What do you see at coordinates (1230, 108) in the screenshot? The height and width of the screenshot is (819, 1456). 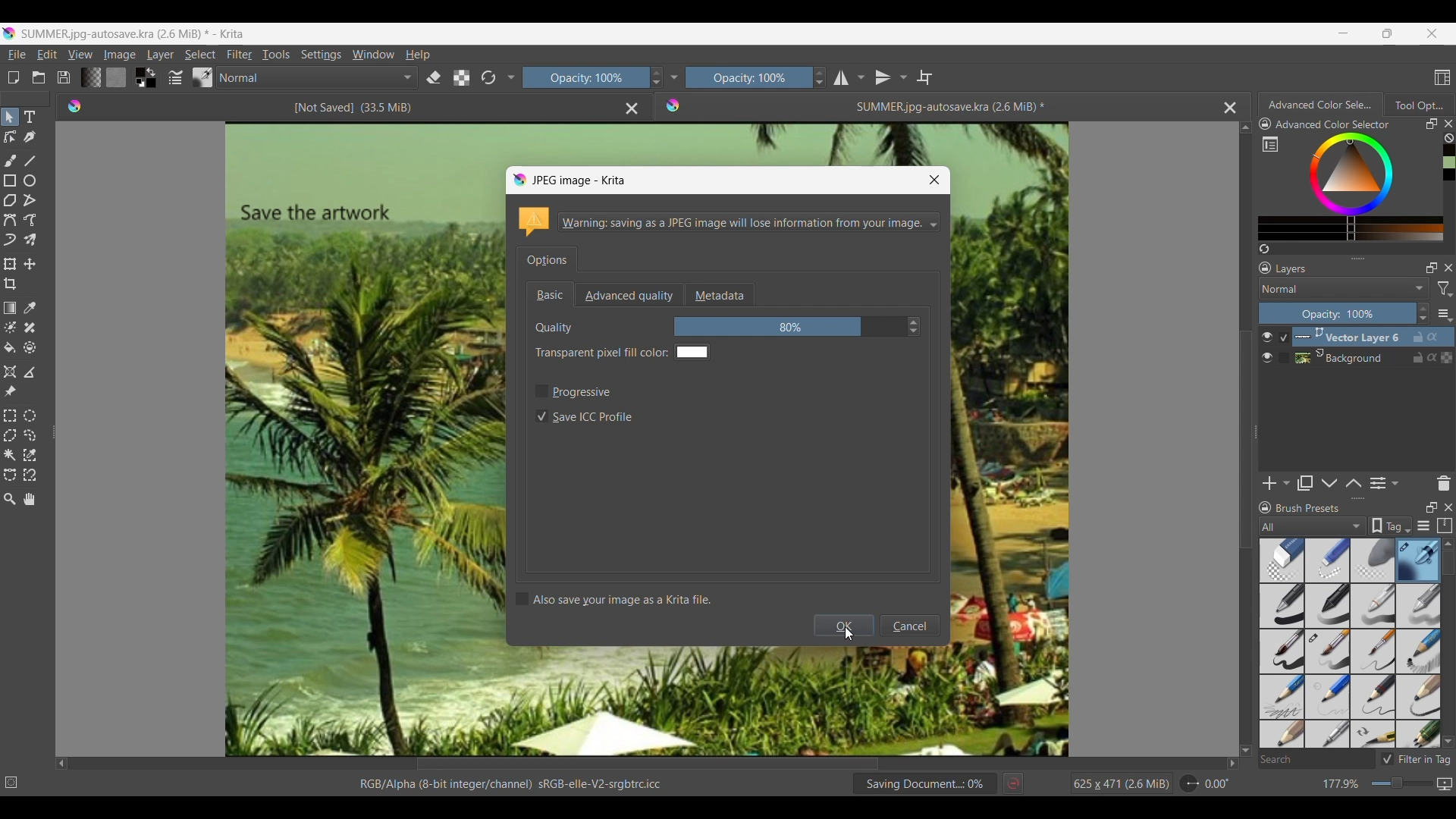 I see `Close current image space` at bounding box center [1230, 108].